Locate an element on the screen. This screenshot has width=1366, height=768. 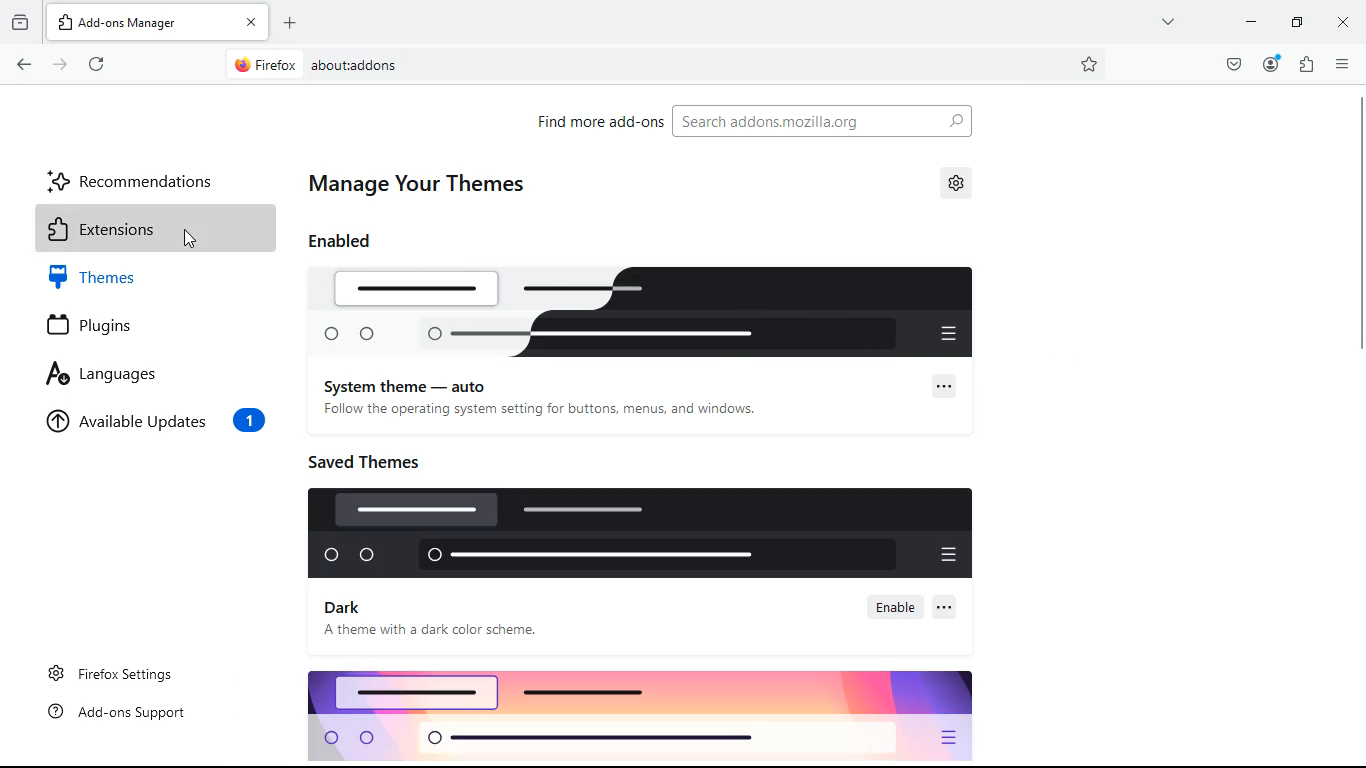
bookmark is located at coordinates (1090, 64).